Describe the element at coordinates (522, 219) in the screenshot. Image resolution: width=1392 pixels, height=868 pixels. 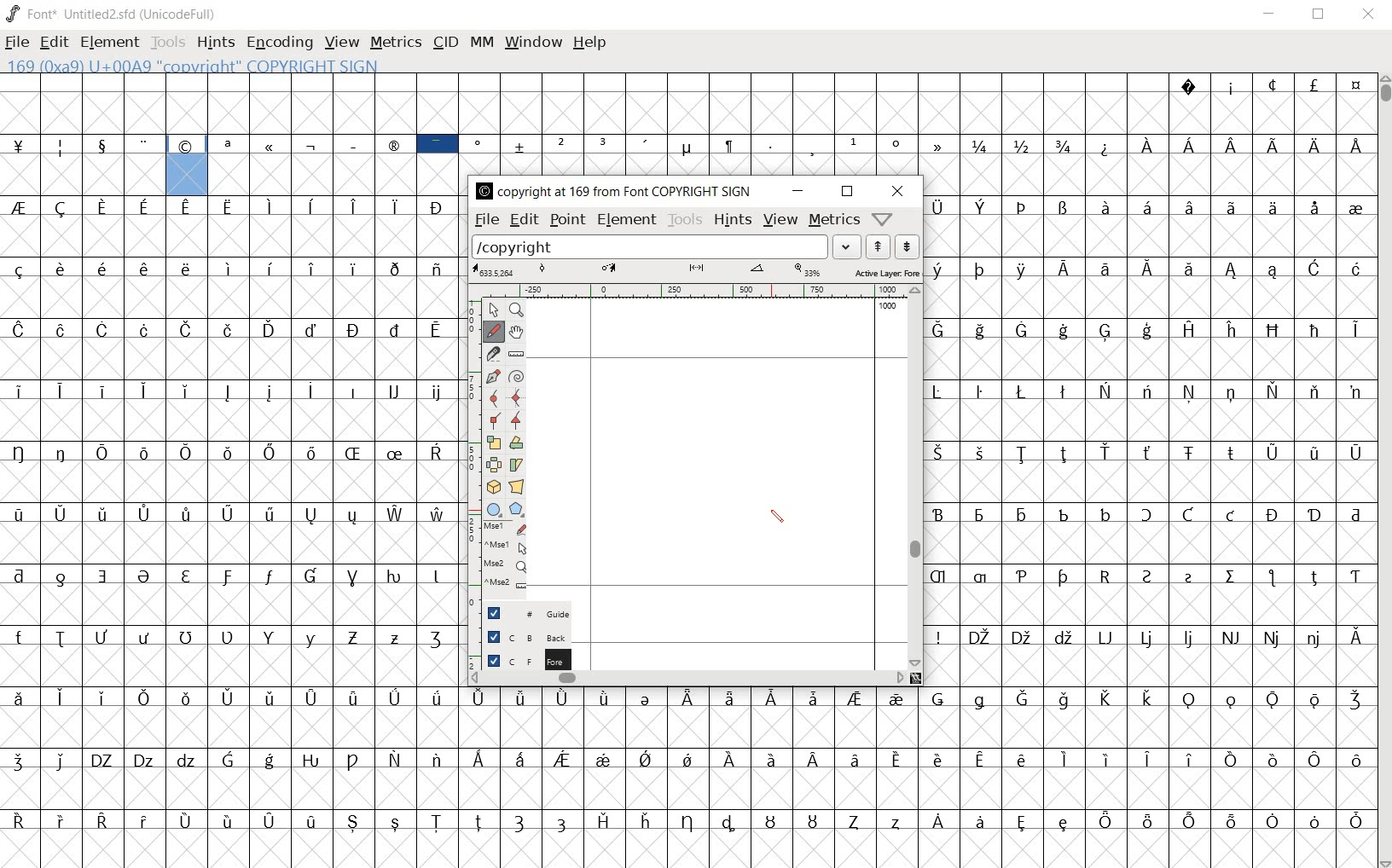
I see `edit` at that location.